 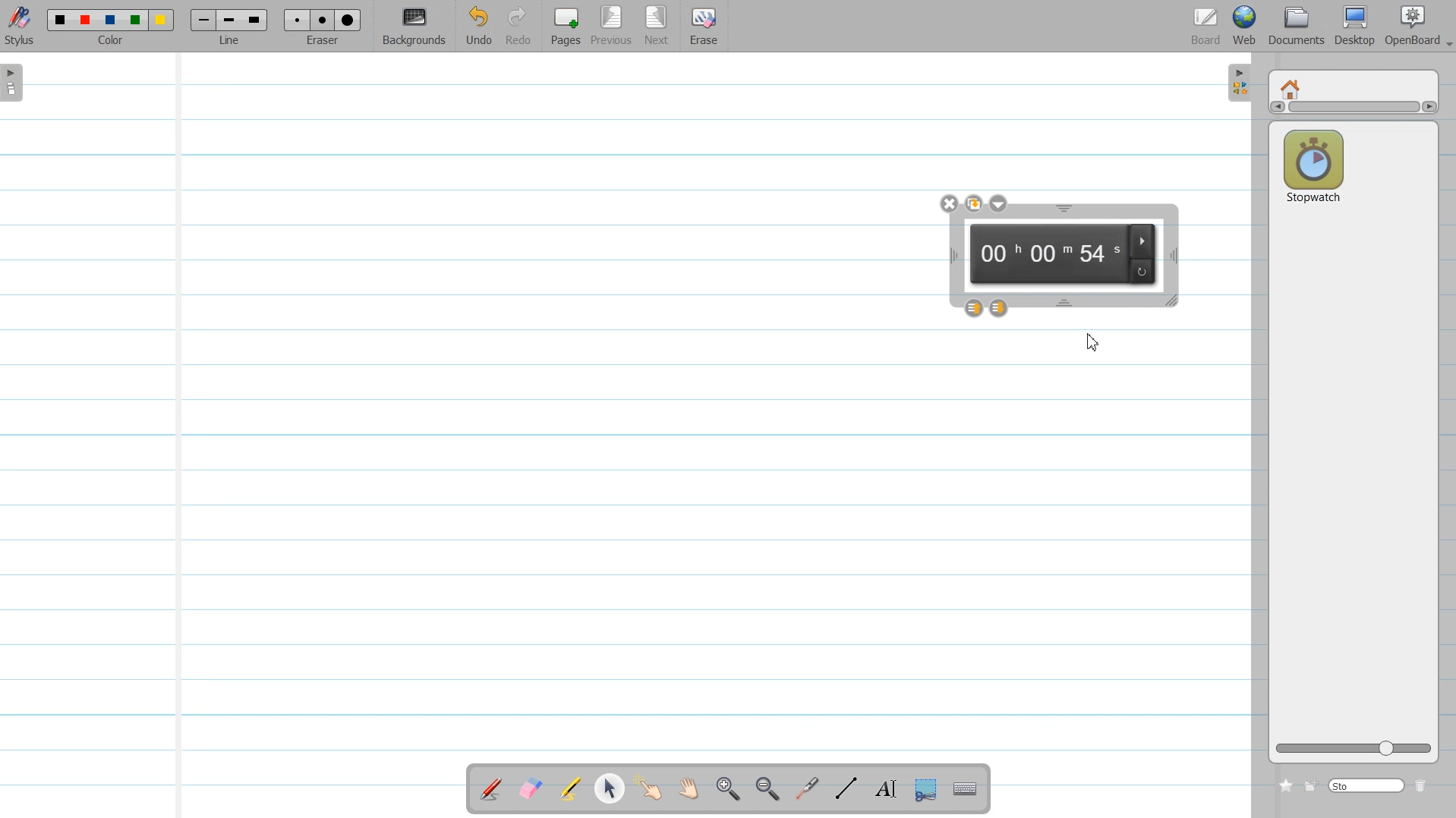 What do you see at coordinates (704, 27) in the screenshot?
I see `Erase` at bounding box center [704, 27].